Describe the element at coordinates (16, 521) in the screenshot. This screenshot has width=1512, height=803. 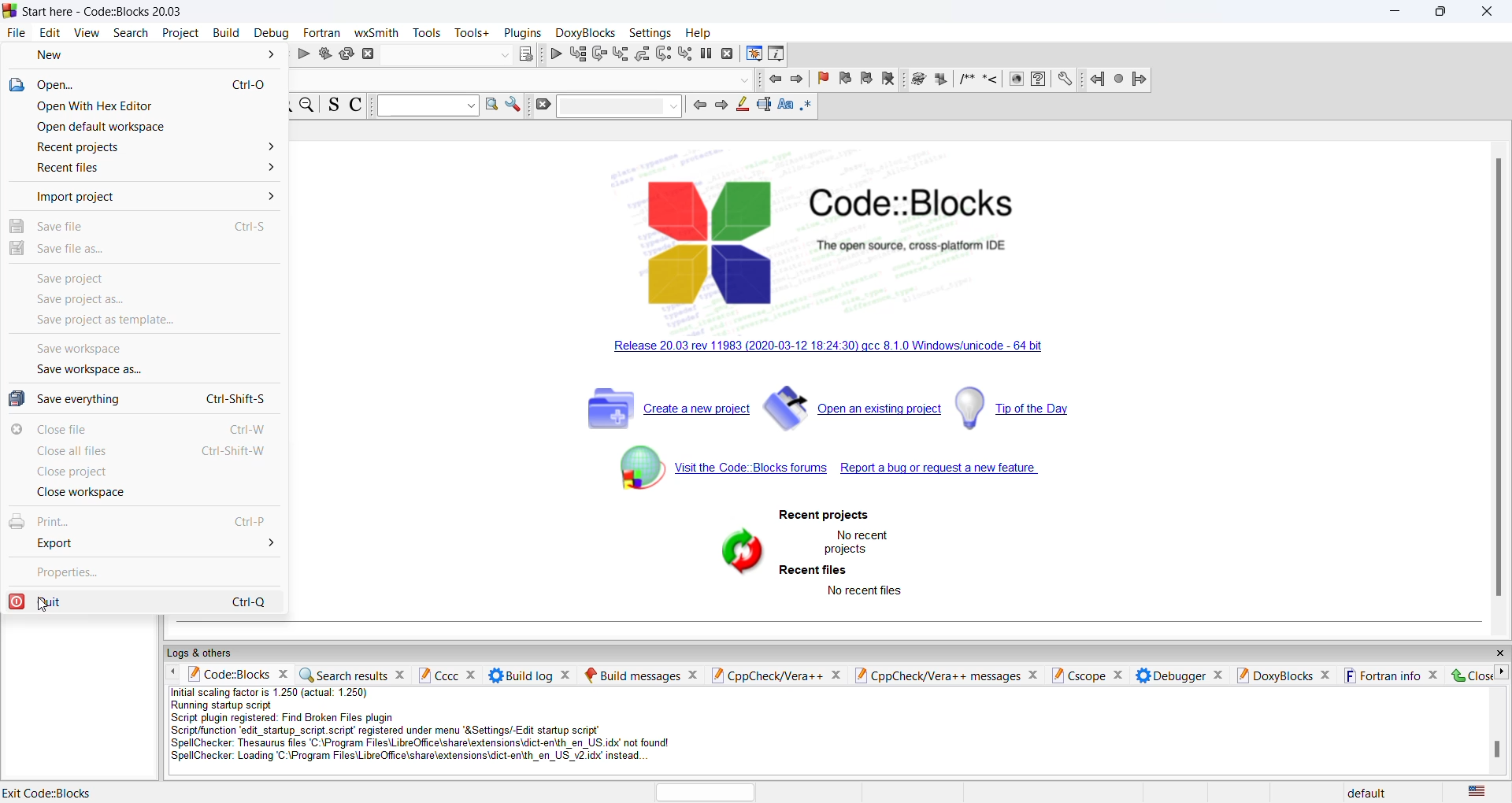
I see `print icon` at that location.